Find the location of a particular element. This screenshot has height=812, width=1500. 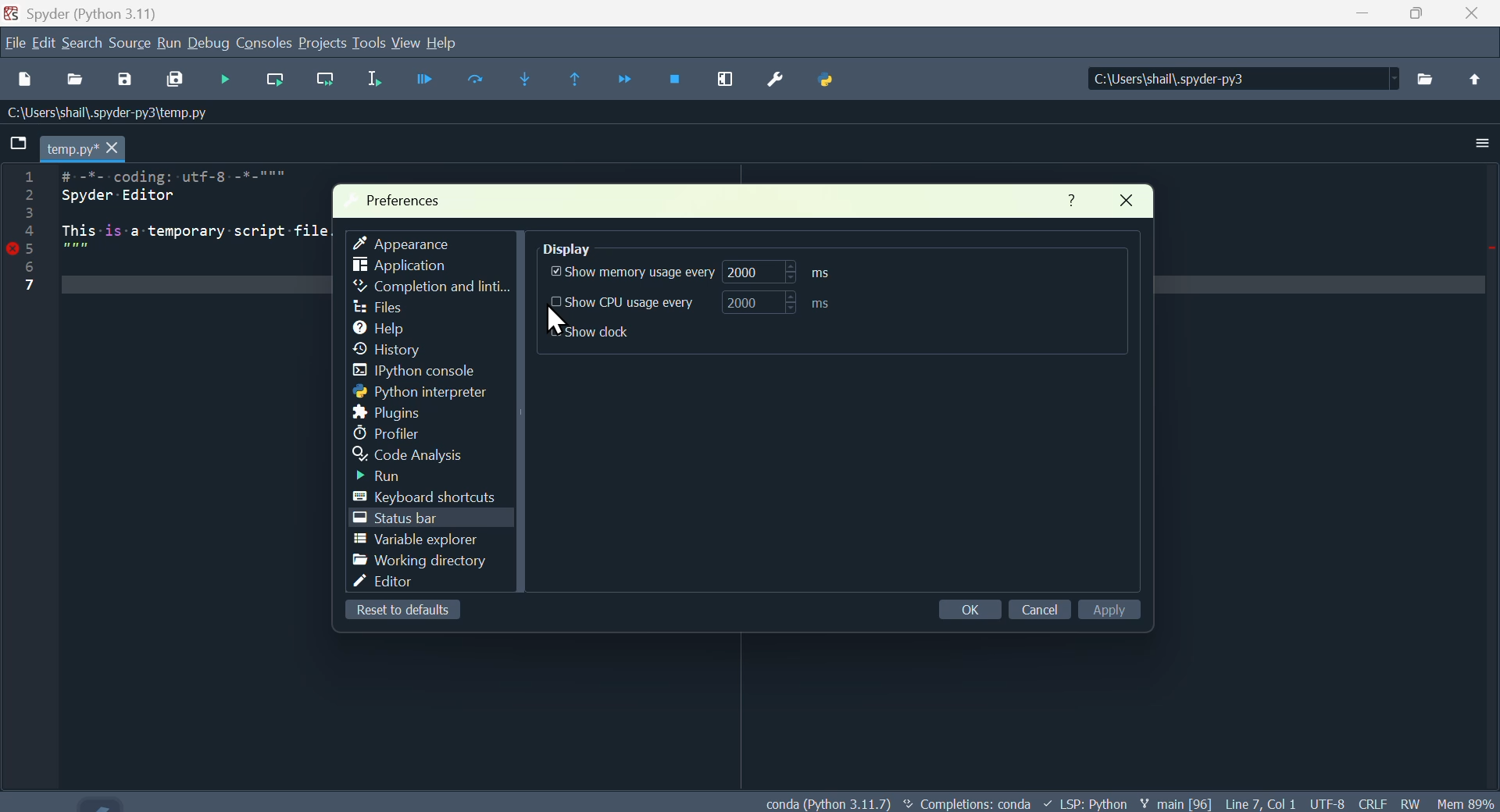

Preferences is located at coordinates (409, 200).